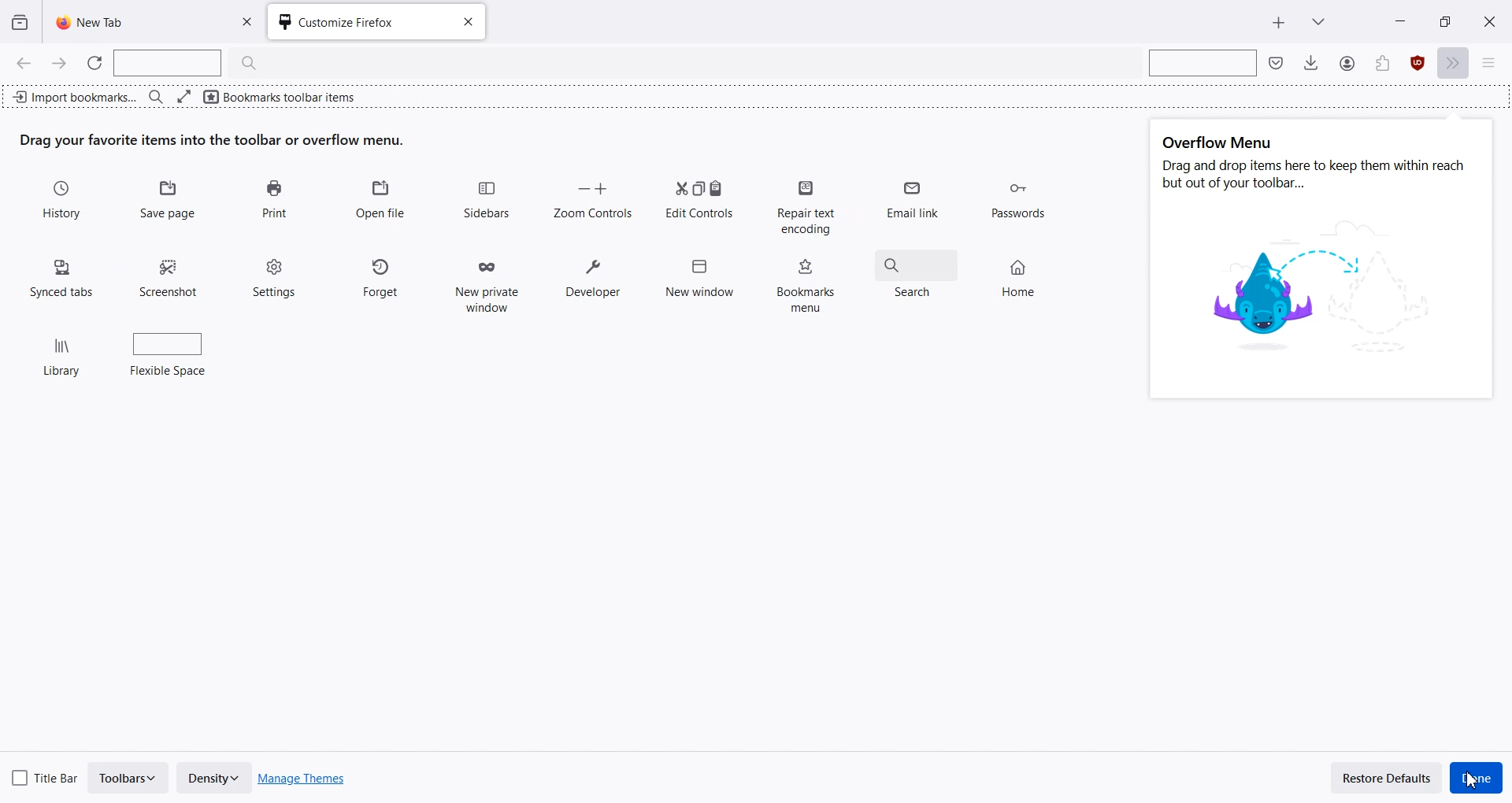  Describe the element at coordinates (22, 62) in the screenshot. I see `Go Back one page ` at that location.